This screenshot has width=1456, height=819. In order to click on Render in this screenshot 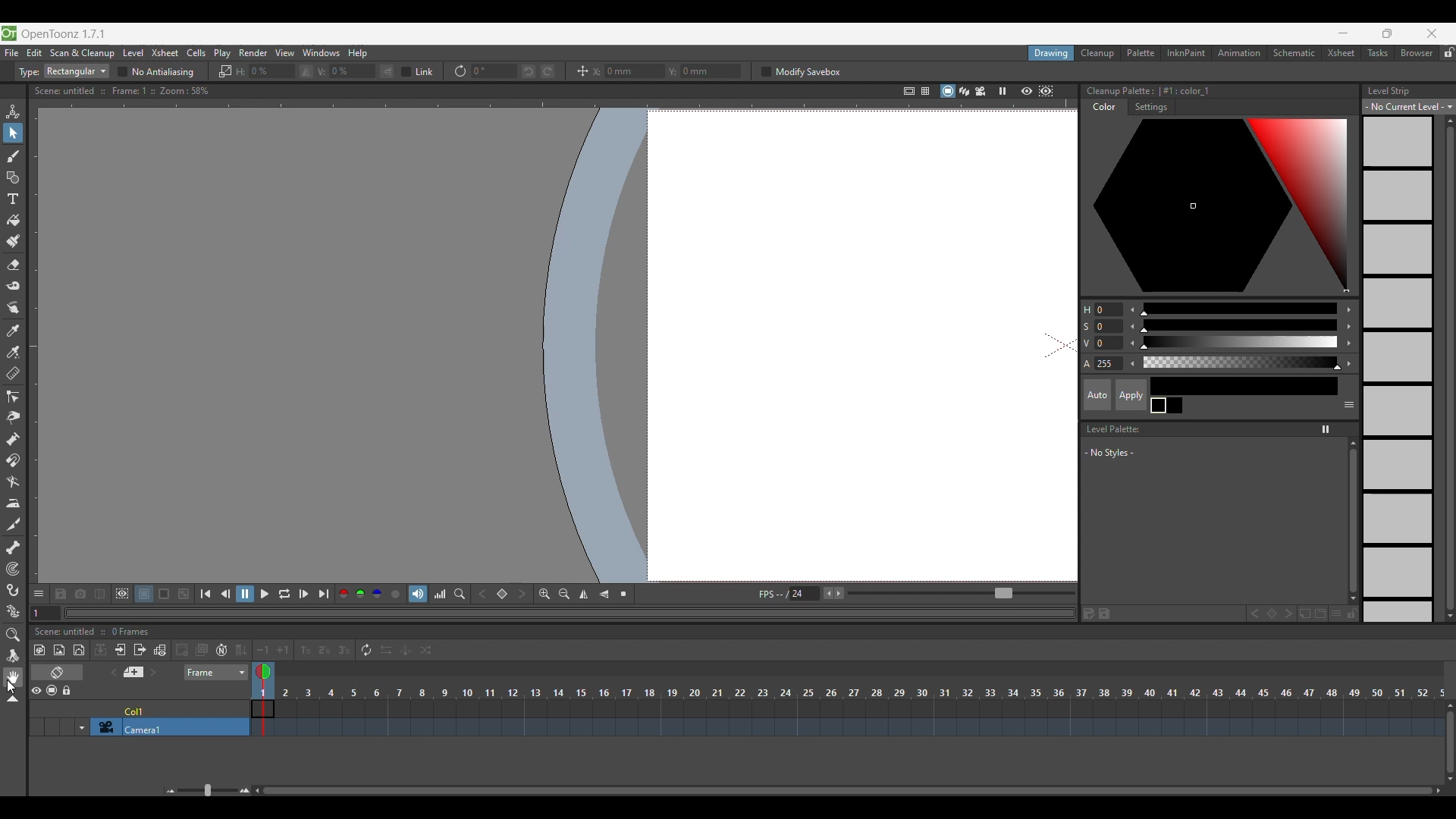, I will do `click(253, 53)`.